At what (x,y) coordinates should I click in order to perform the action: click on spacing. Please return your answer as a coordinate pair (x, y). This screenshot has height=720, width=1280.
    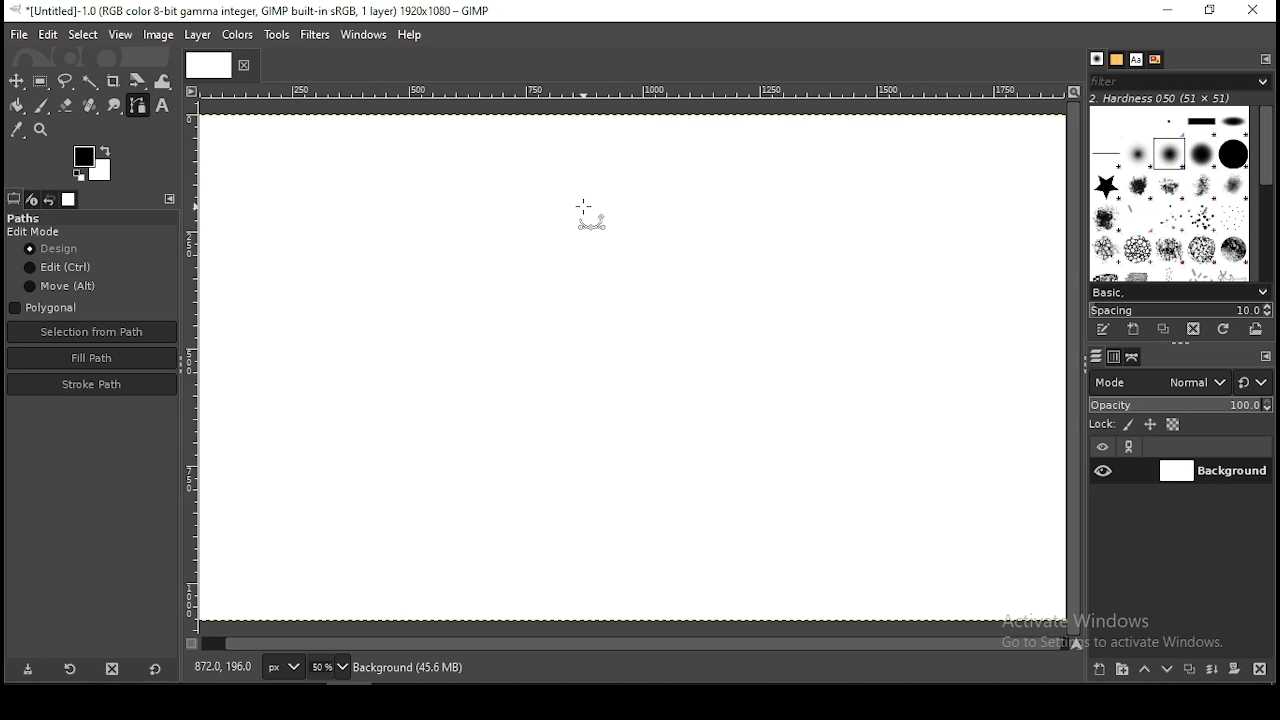
    Looking at the image, I should click on (1180, 310).